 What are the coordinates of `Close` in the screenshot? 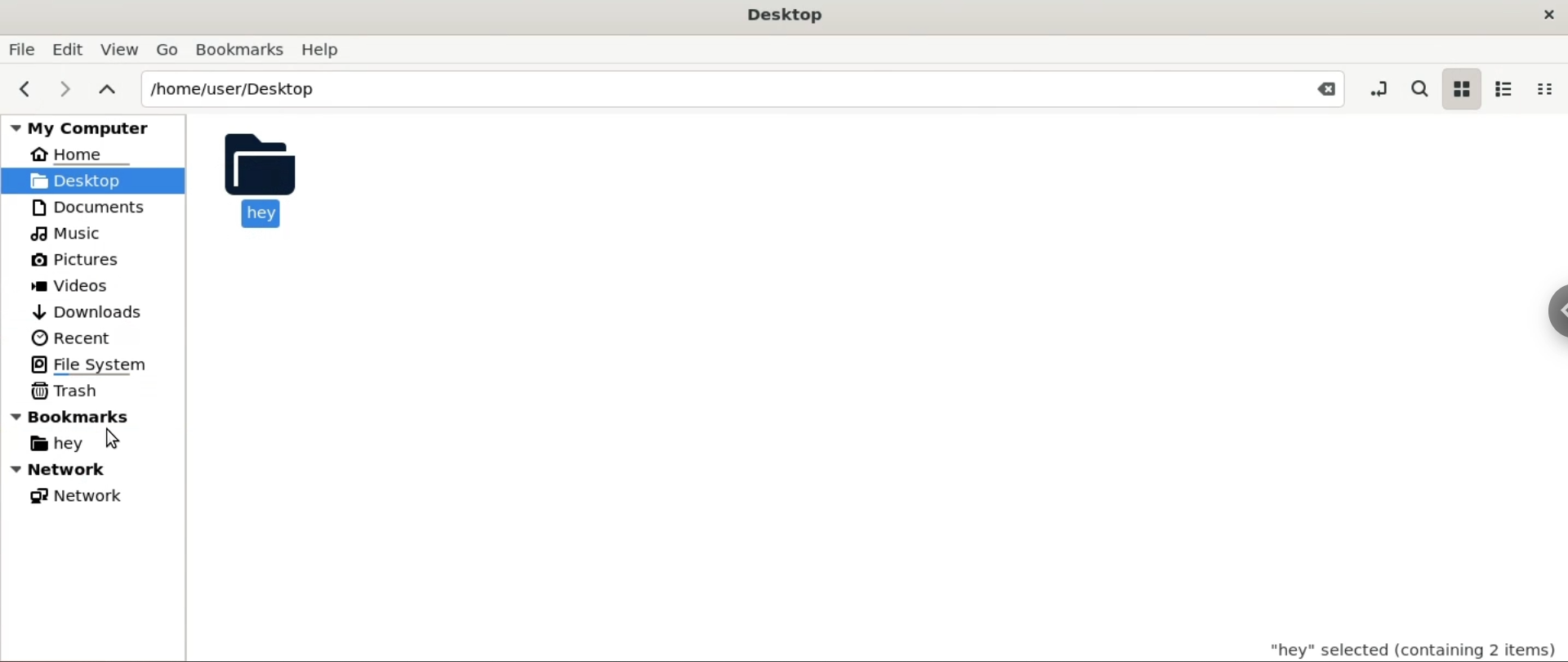 It's located at (1320, 90).